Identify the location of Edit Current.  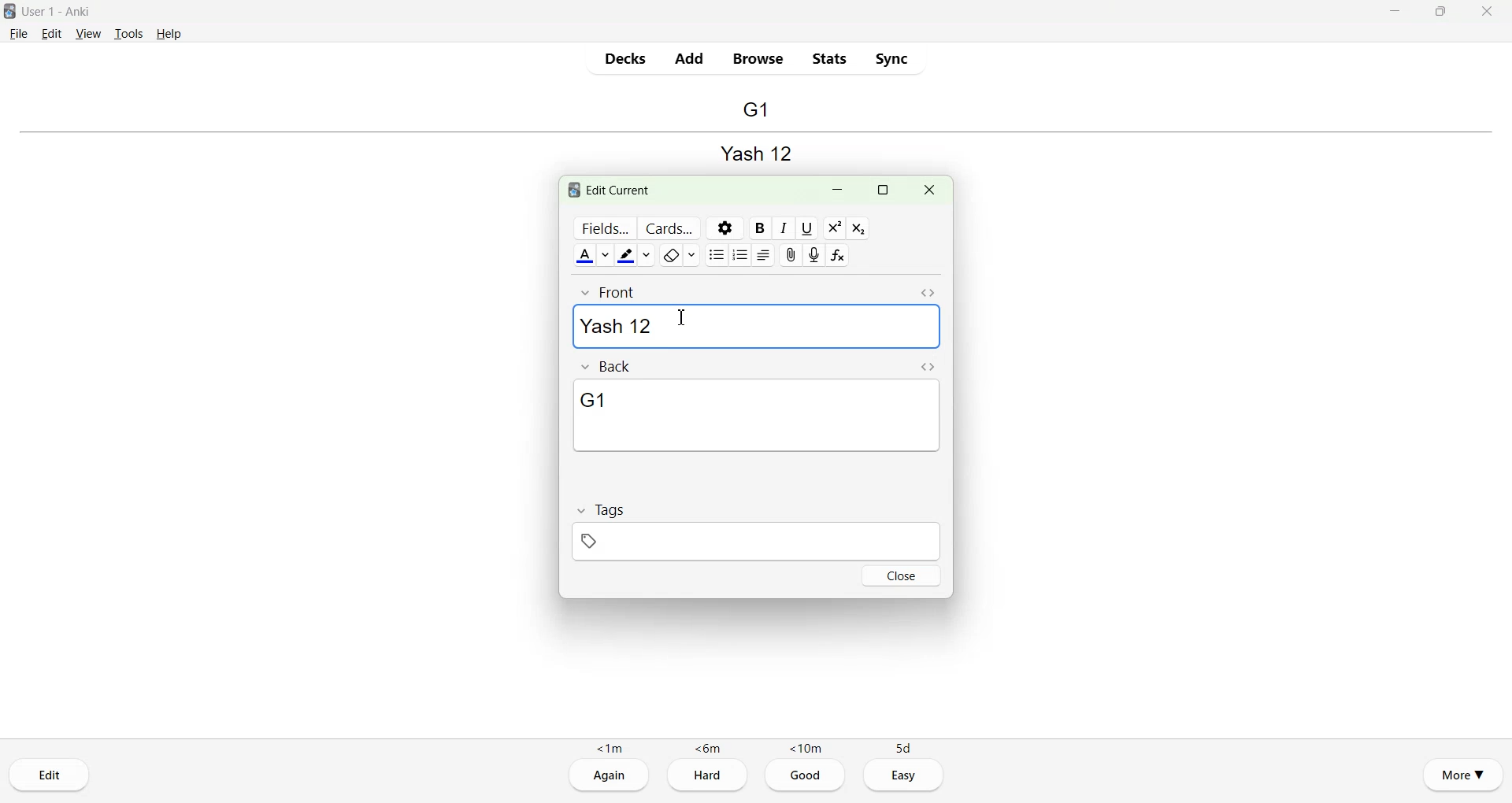
(622, 189).